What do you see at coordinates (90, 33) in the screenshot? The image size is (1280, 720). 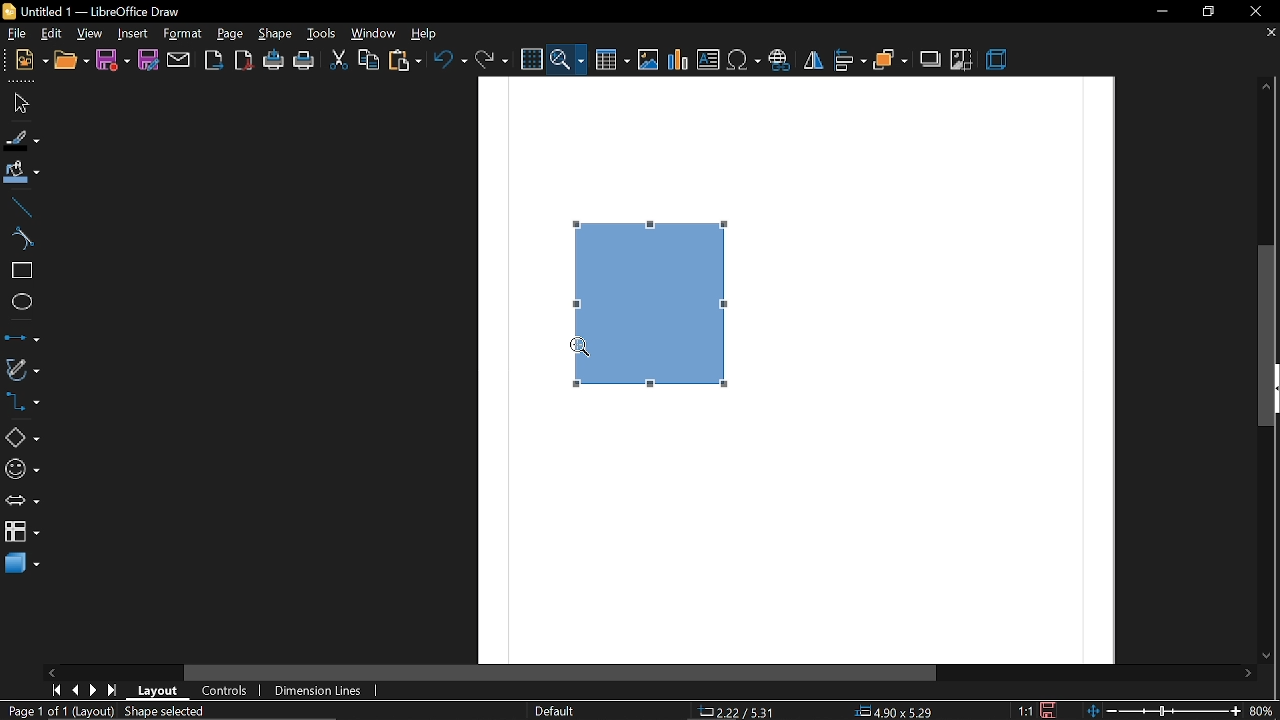 I see `view` at bounding box center [90, 33].